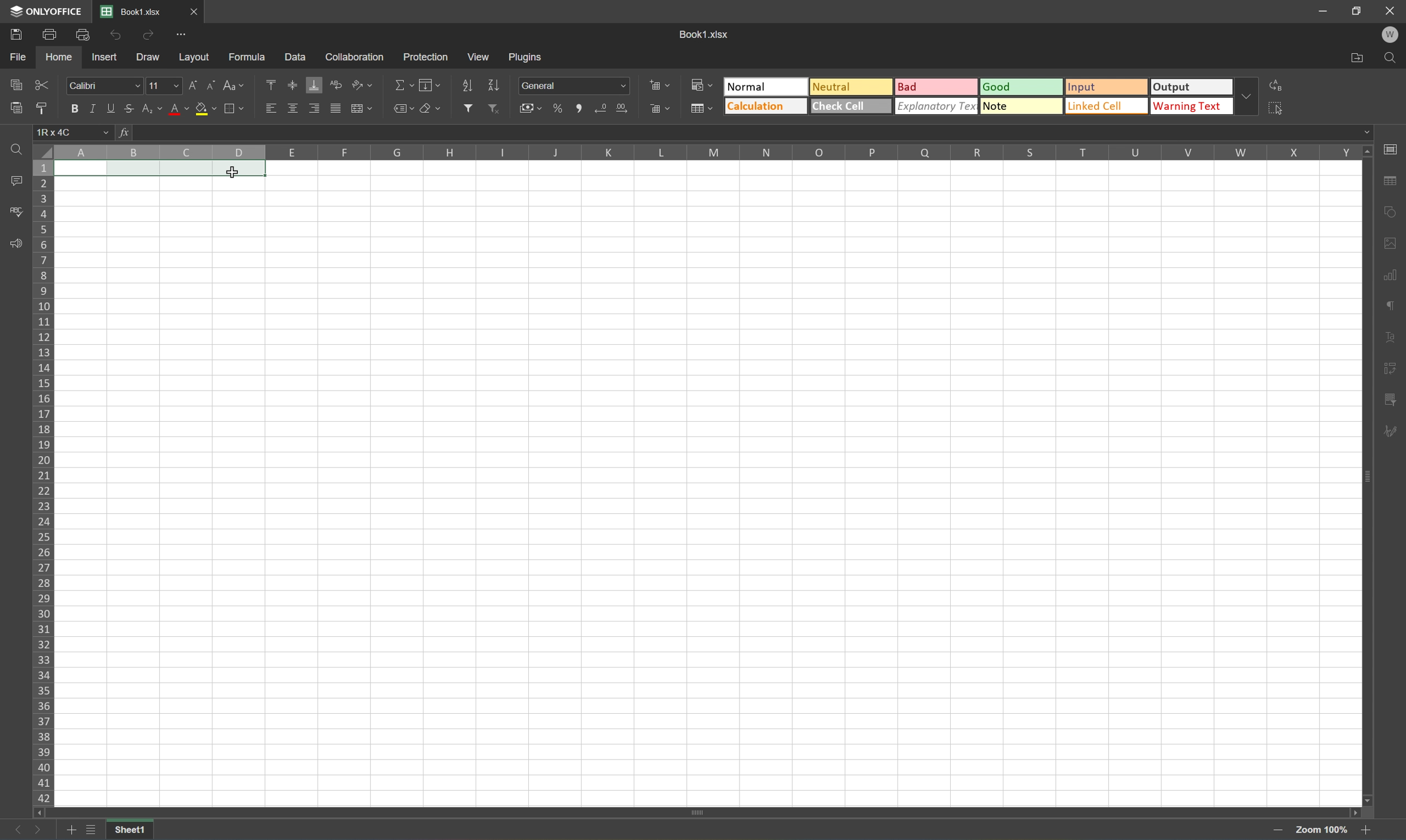  I want to click on Quick print, so click(87, 37).